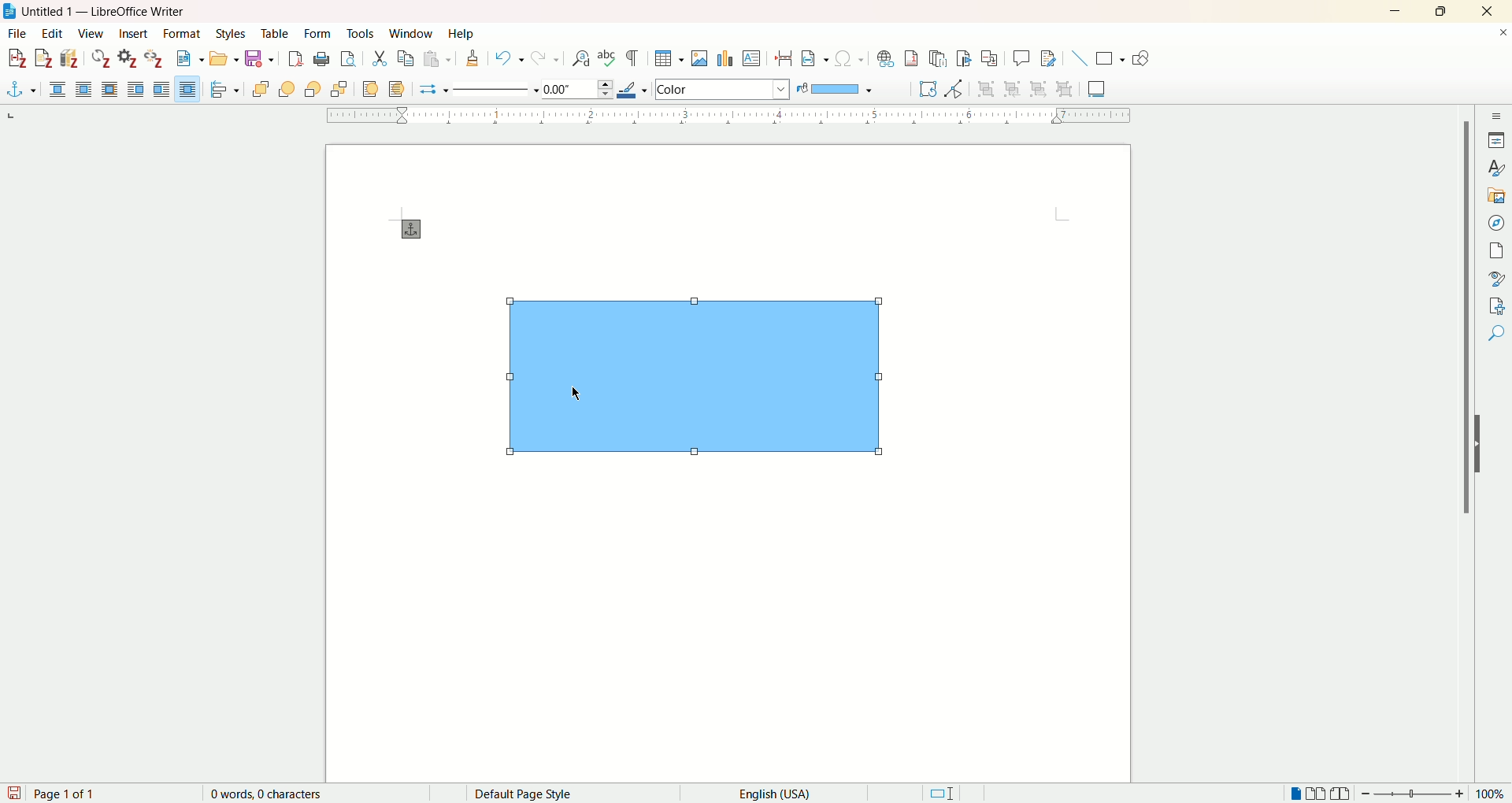  I want to click on redo, so click(544, 57).